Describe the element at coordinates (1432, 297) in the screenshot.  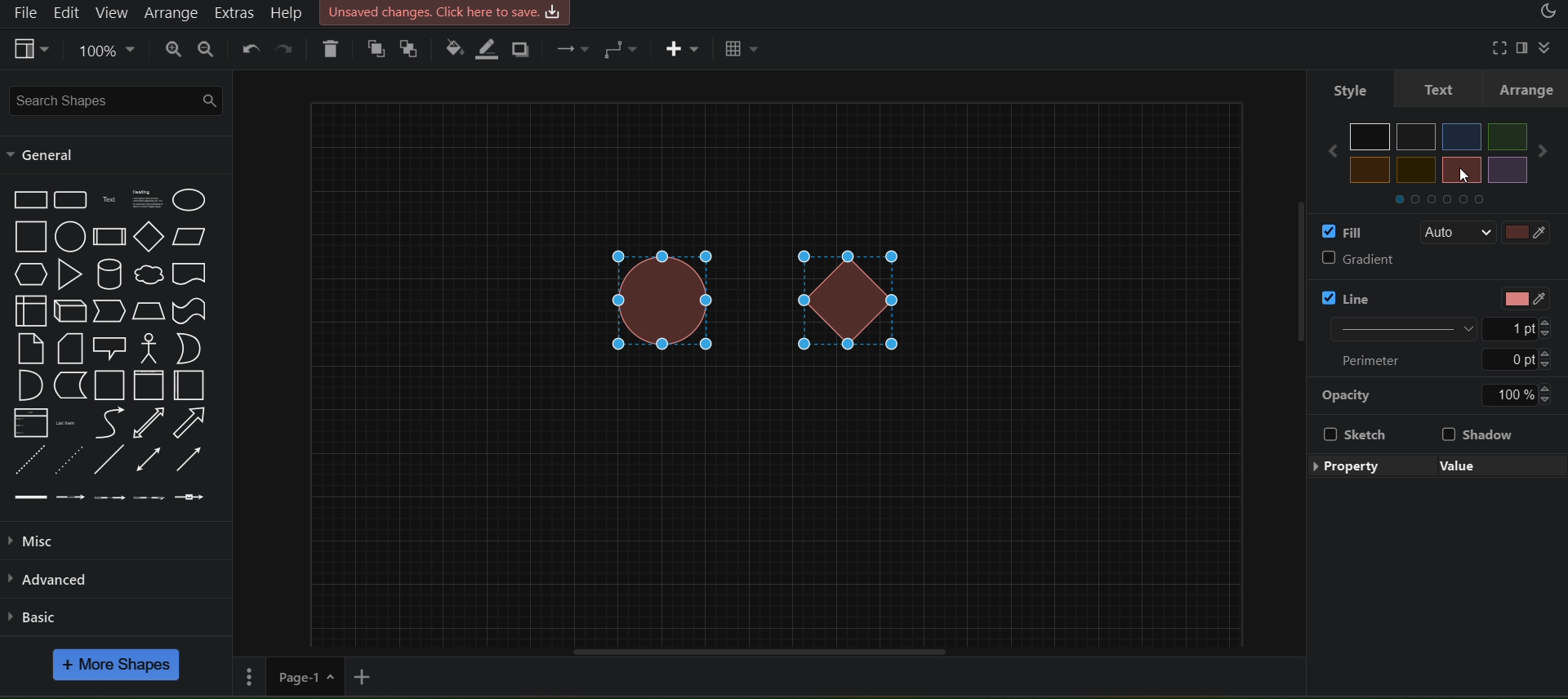
I see `line` at that location.